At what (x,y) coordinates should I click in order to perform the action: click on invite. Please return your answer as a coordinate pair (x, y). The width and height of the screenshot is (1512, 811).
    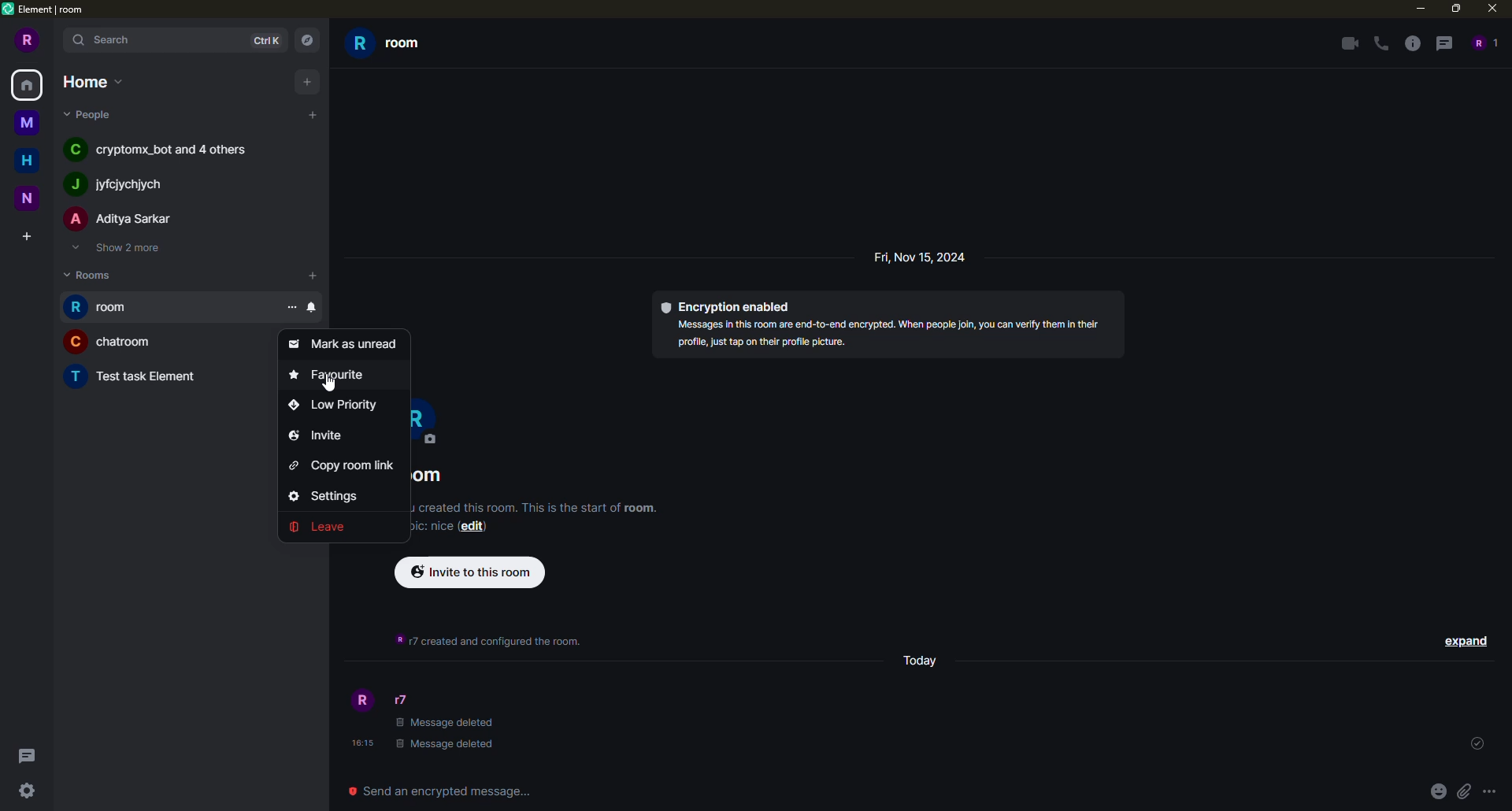
    Looking at the image, I should click on (317, 436).